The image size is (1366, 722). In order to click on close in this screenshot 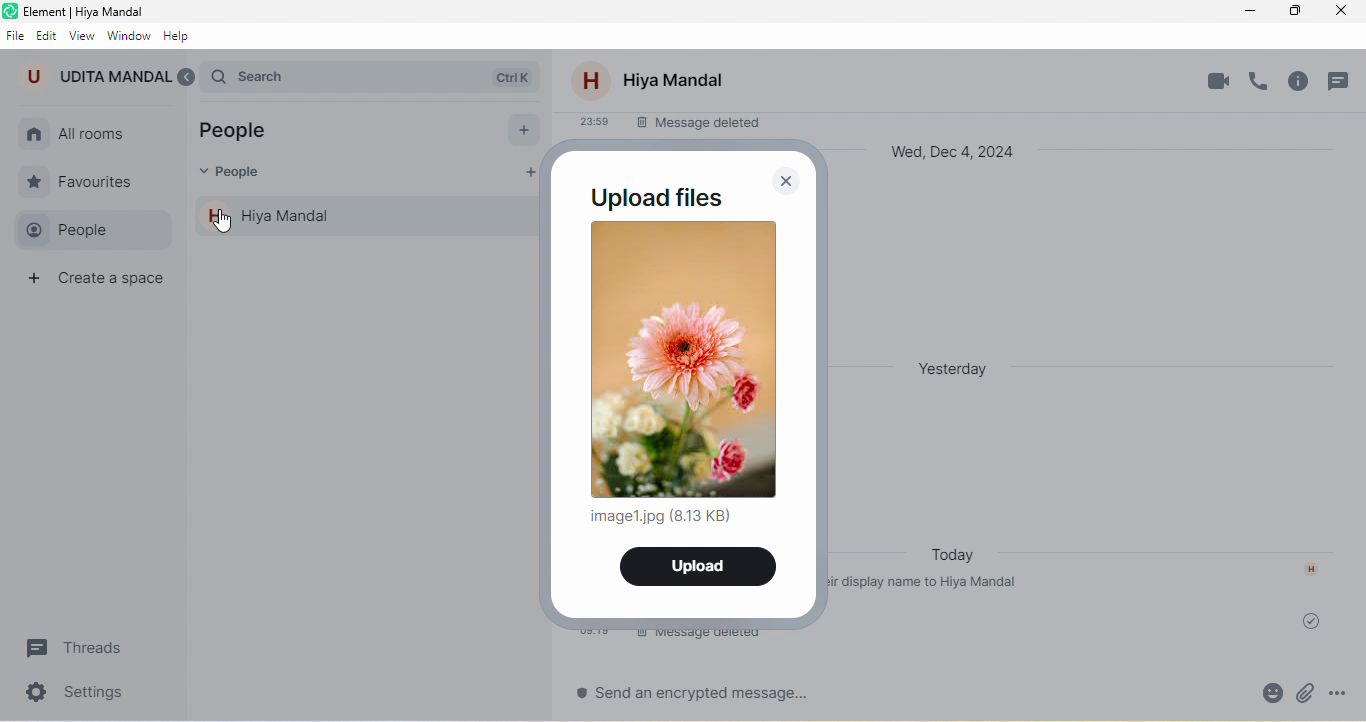, I will do `click(1347, 10)`.